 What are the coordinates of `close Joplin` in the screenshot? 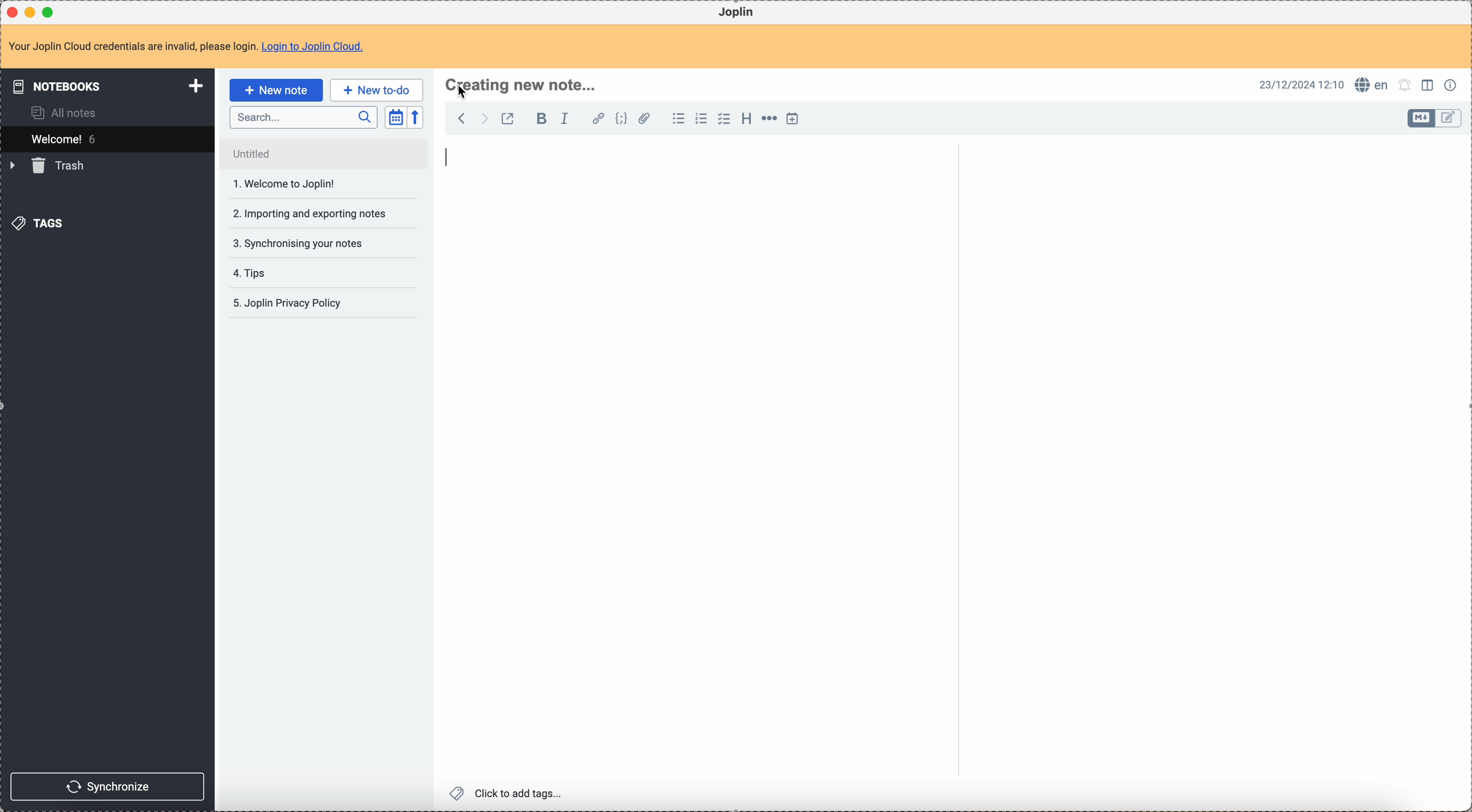 It's located at (14, 12).